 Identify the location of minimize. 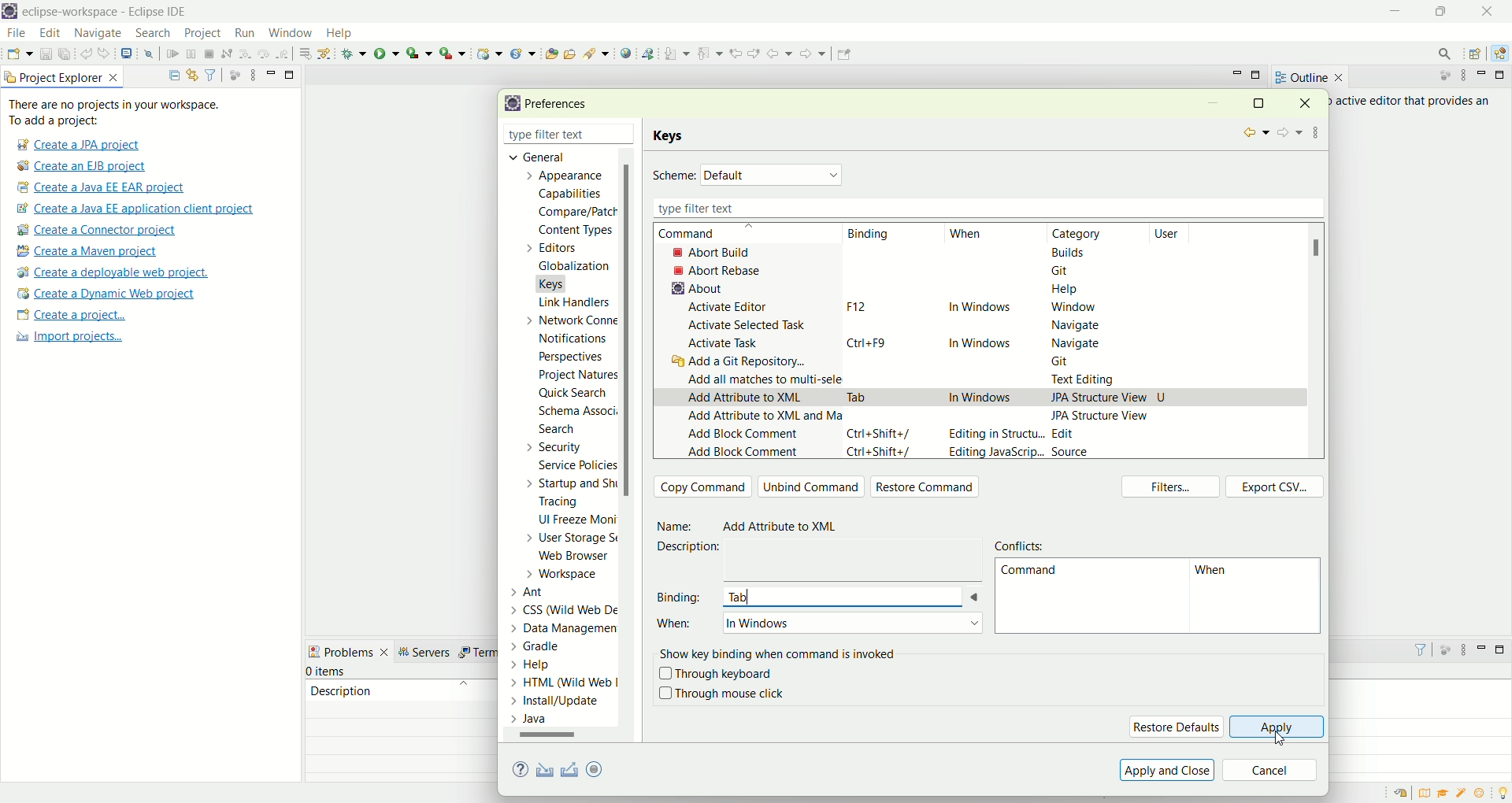
(1397, 12).